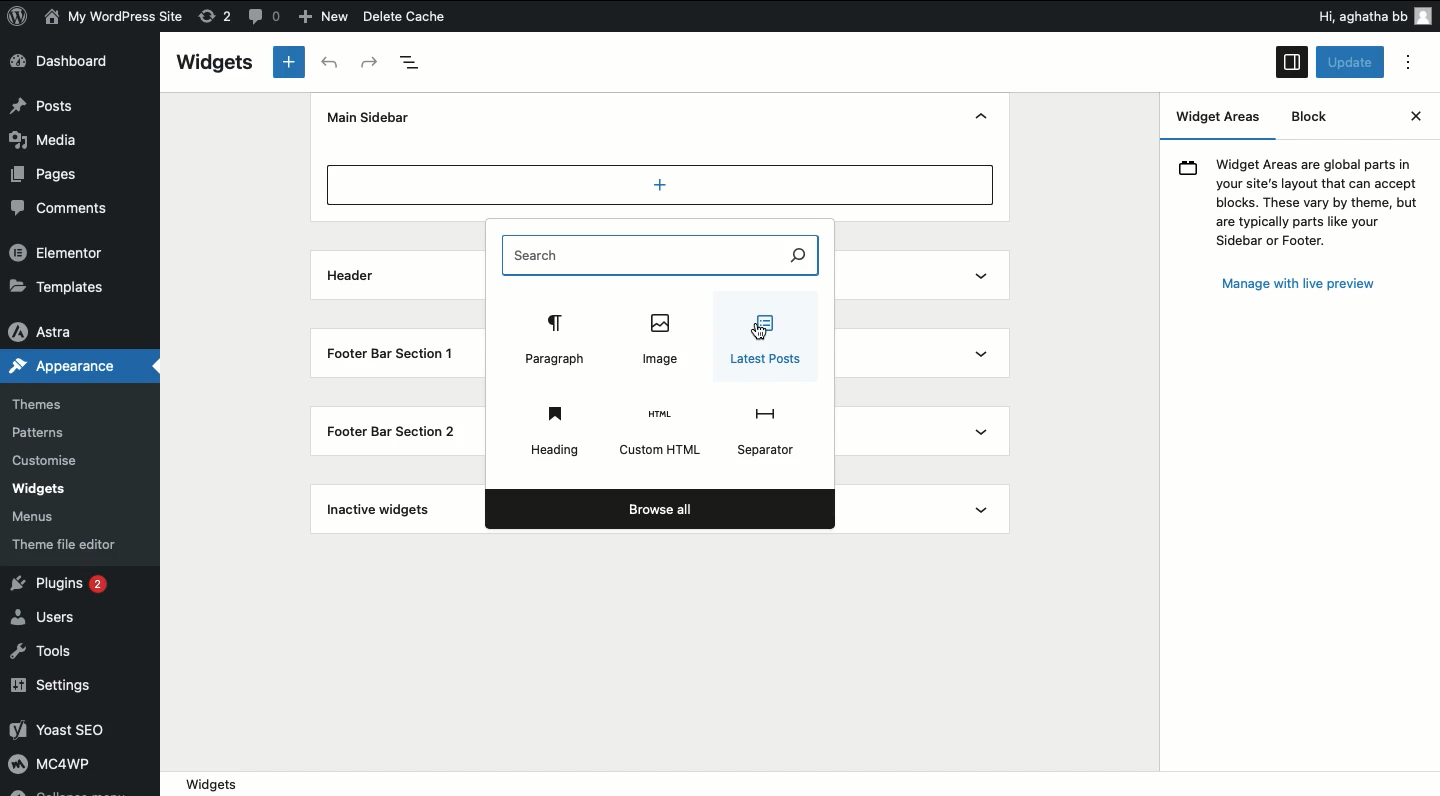 This screenshot has height=796, width=1440. What do you see at coordinates (290, 62) in the screenshot?
I see `New tab` at bounding box center [290, 62].